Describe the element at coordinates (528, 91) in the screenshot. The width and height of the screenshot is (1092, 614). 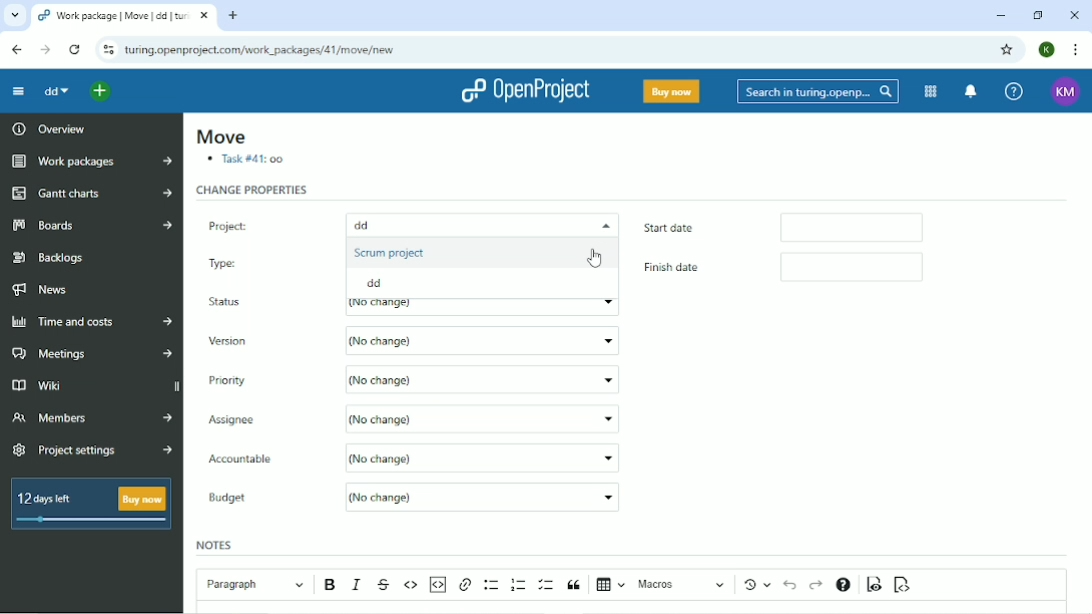
I see `OpenProject` at that location.